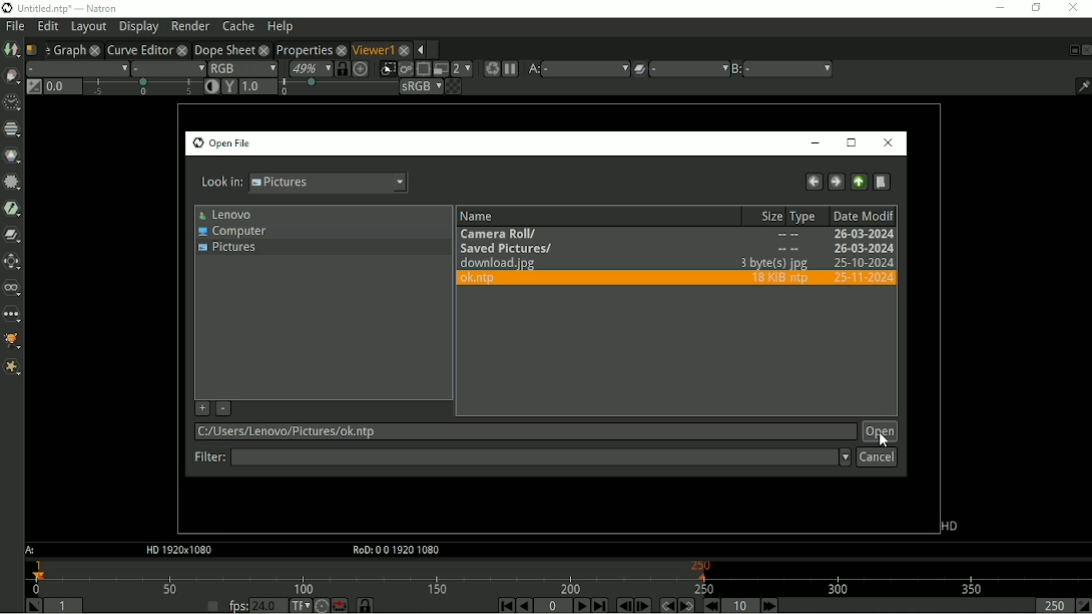  What do you see at coordinates (863, 215) in the screenshot?
I see `Date Modified` at bounding box center [863, 215].